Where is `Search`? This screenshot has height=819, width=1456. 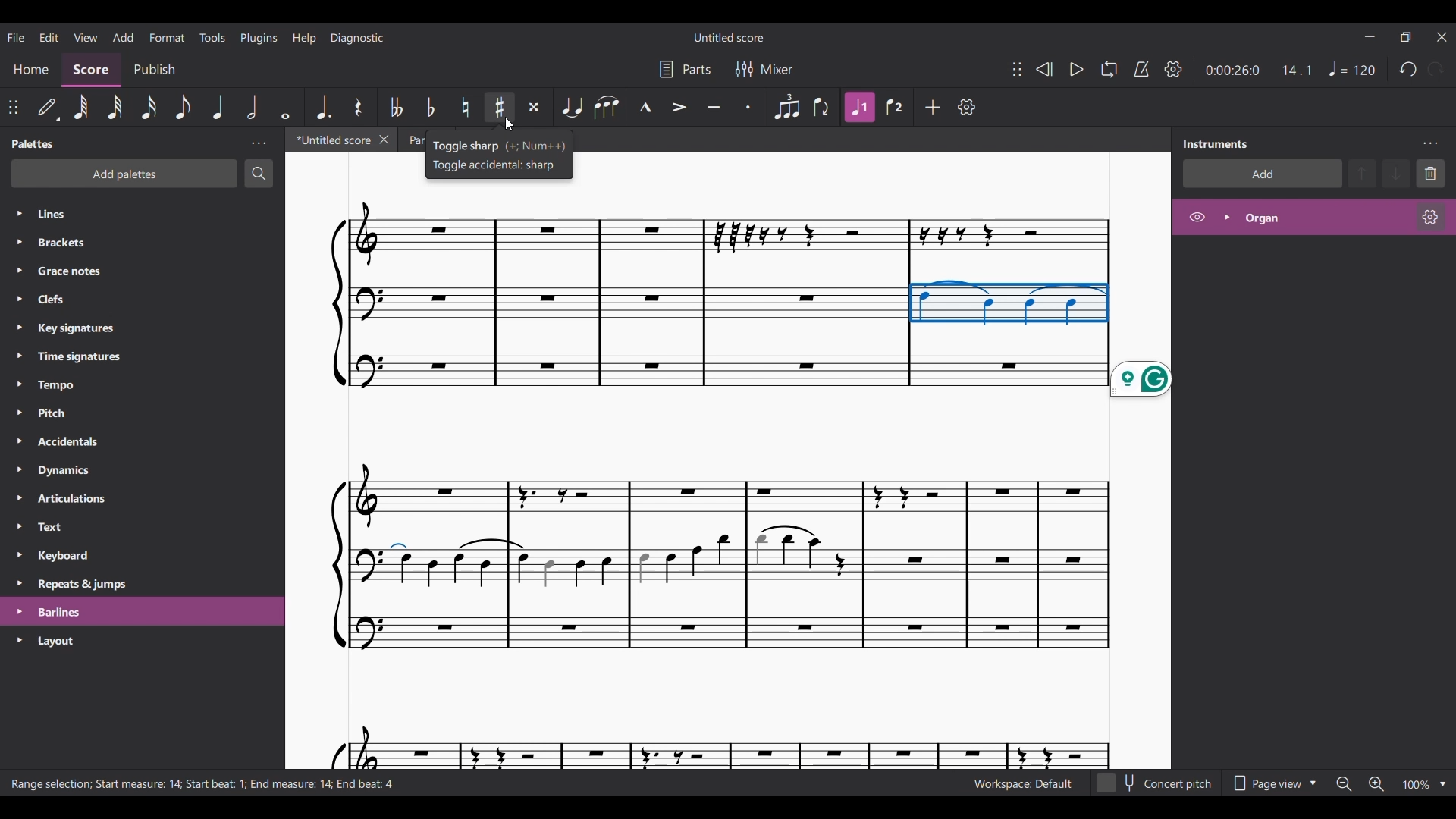 Search is located at coordinates (258, 174).